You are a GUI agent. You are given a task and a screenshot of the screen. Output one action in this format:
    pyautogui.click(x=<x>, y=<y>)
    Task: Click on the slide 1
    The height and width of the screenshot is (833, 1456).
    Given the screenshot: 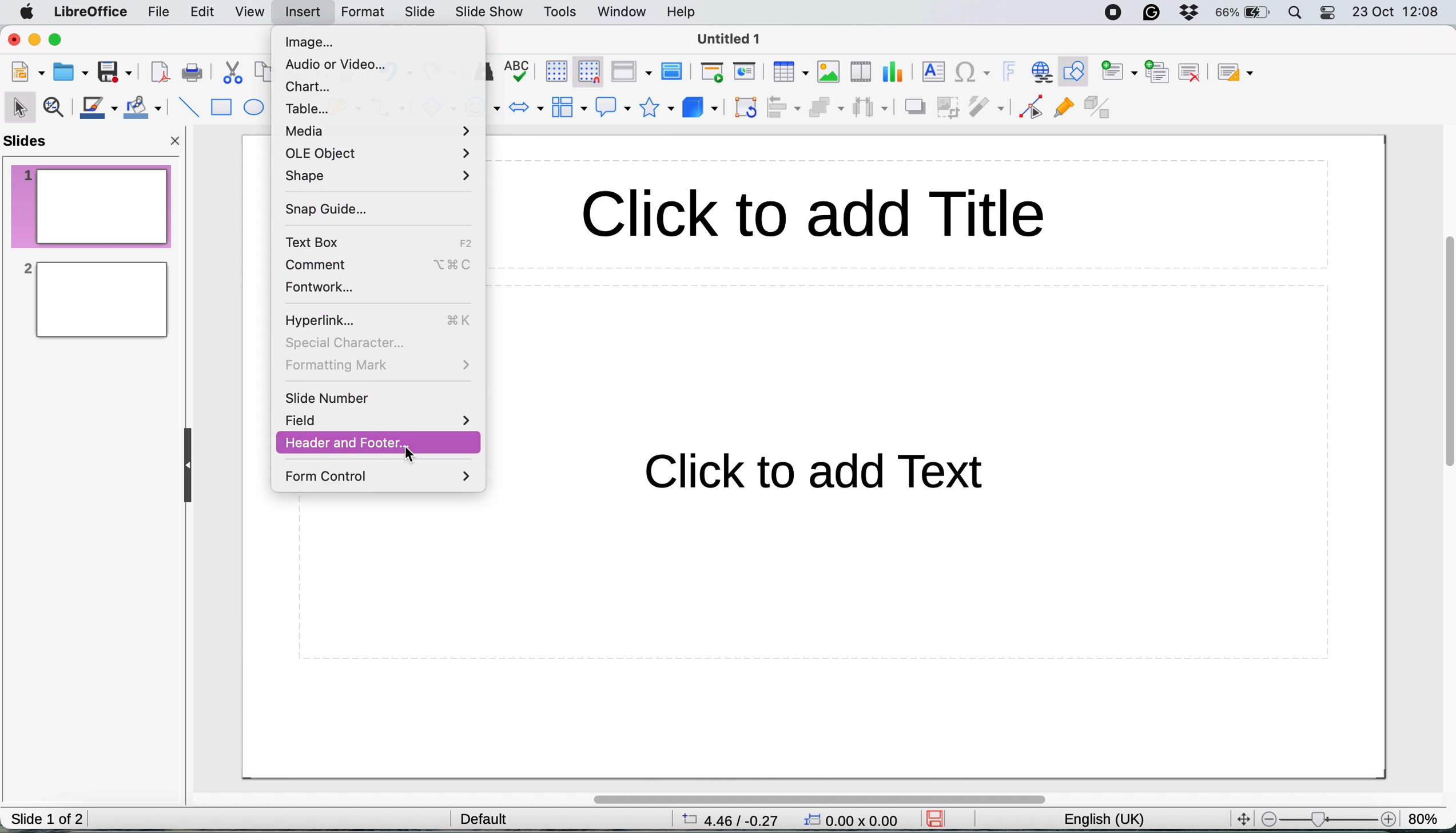 What is the action you would take?
    pyautogui.click(x=92, y=205)
    